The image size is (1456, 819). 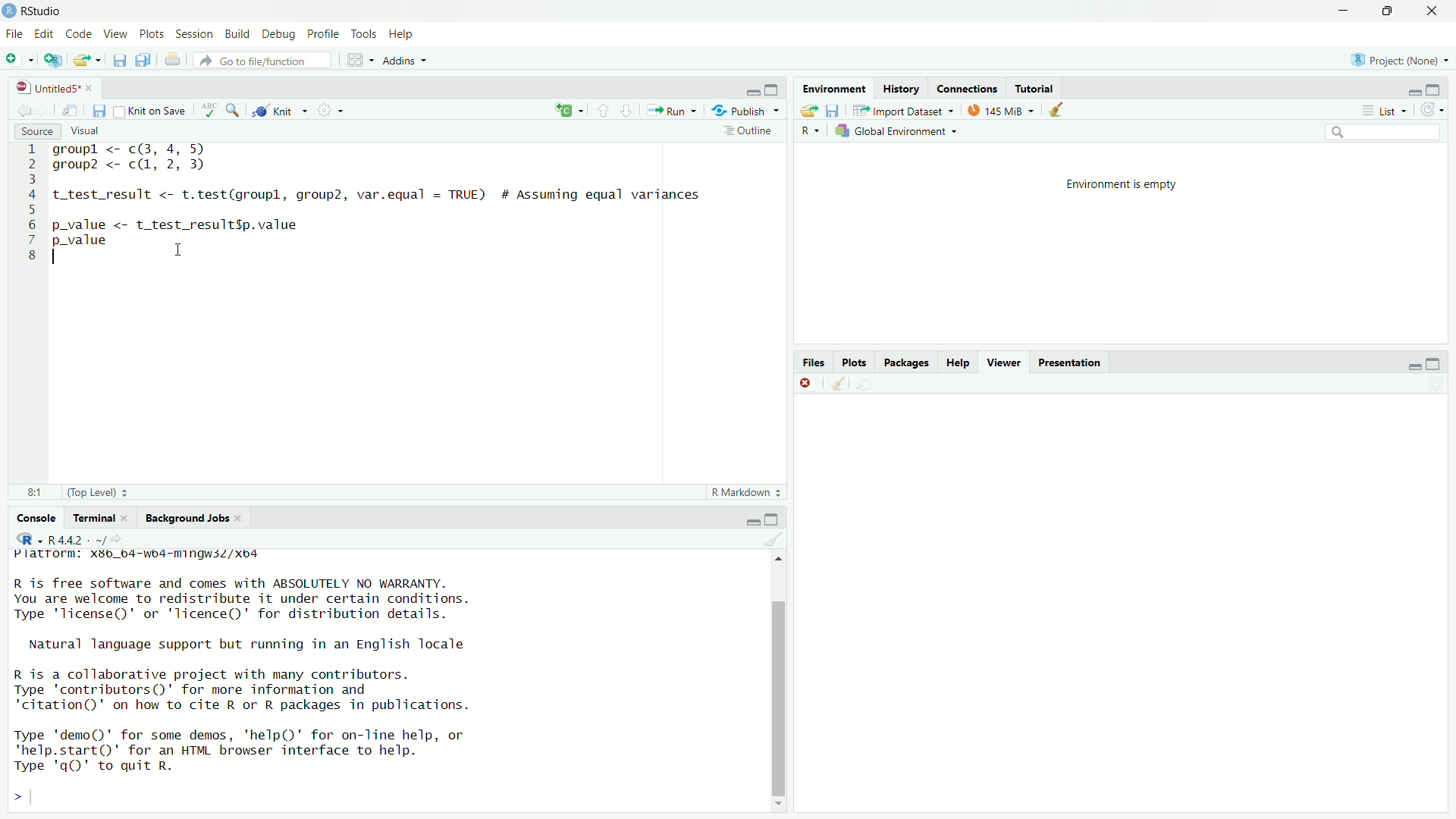 I want to click on NEW PROJECT, so click(x=54, y=58).